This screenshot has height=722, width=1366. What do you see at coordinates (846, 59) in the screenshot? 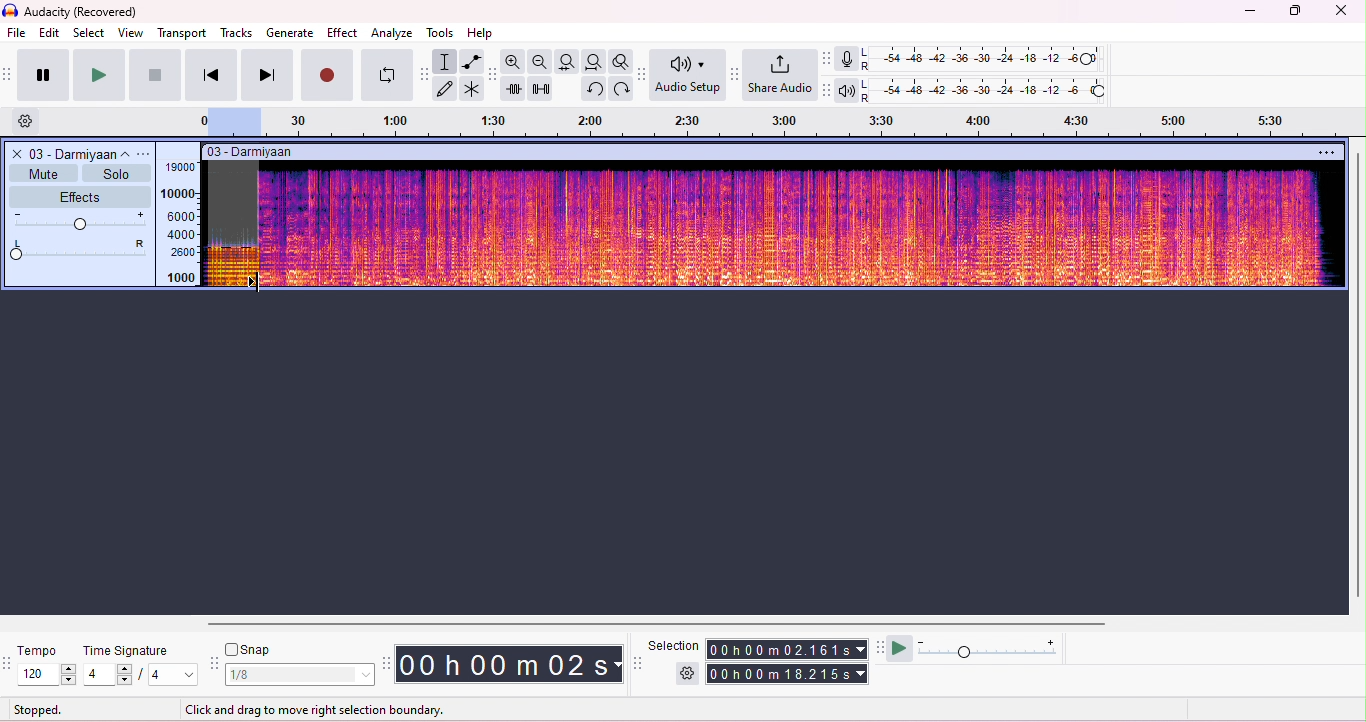
I see `record meter ` at bounding box center [846, 59].